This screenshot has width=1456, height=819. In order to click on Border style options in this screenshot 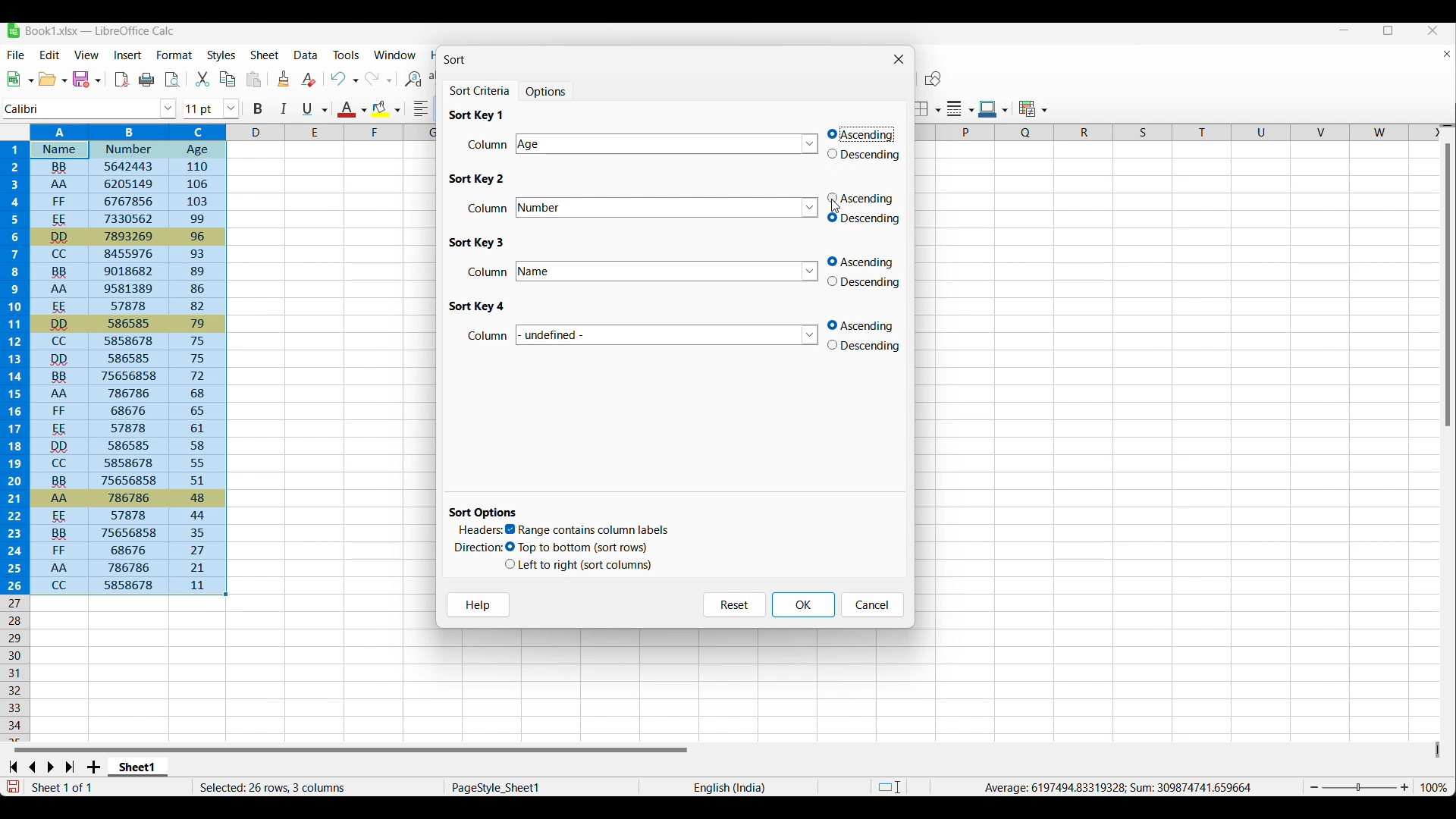, I will do `click(961, 109)`.